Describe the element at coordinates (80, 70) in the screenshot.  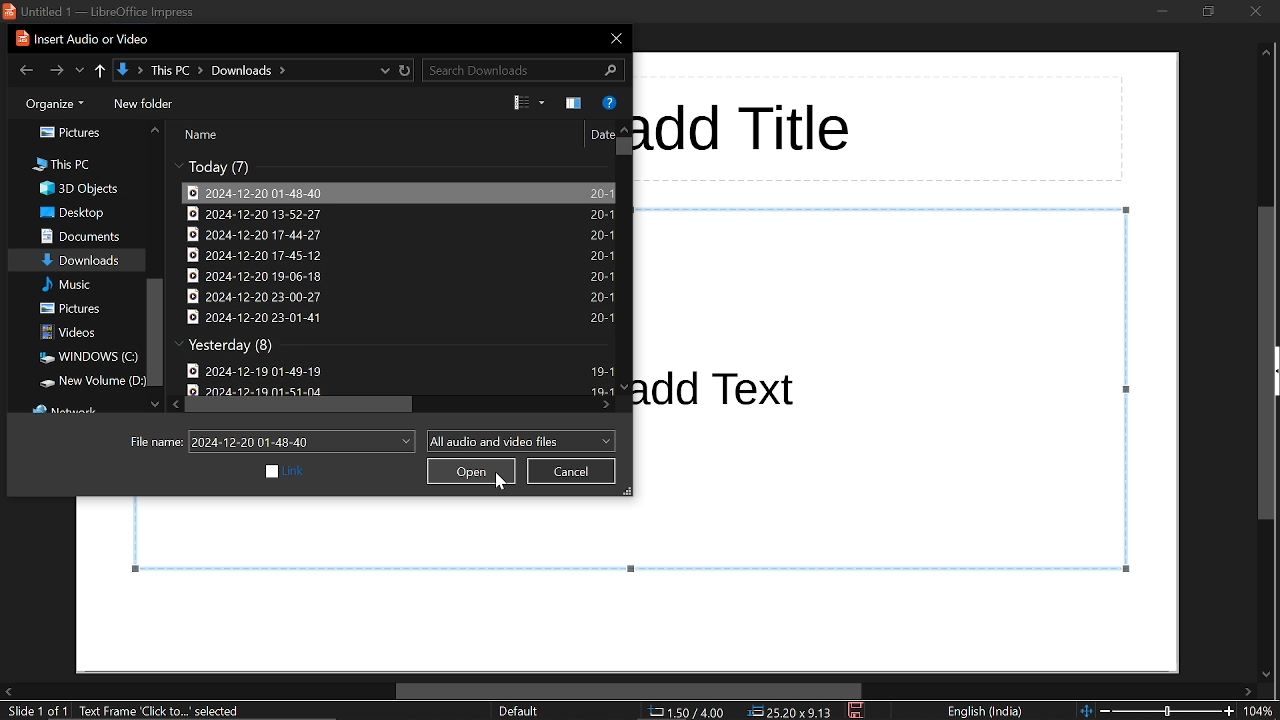
I see `recent location` at that location.